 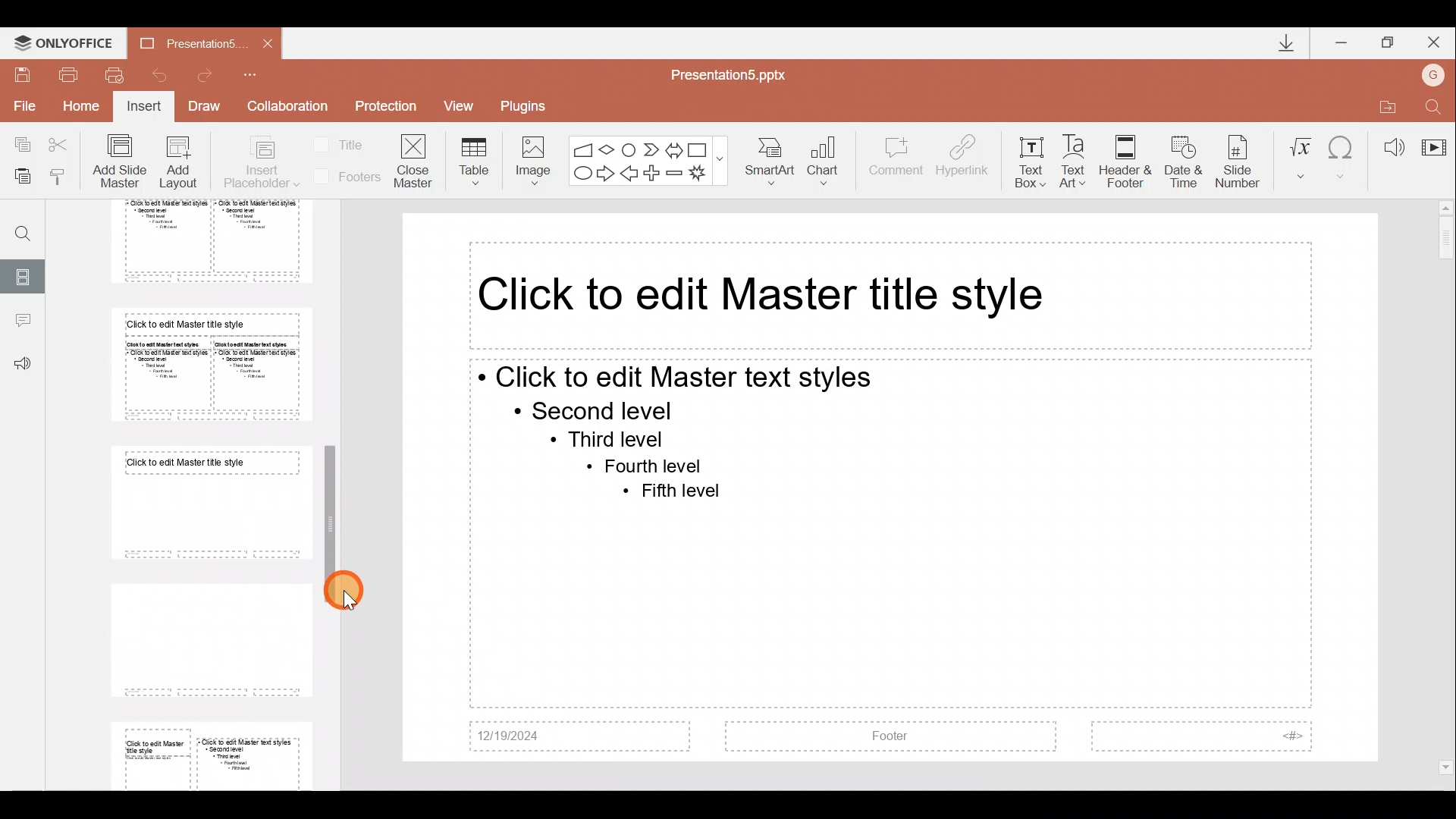 What do you see at coordinates (529, 158) in the screenshot?
I see `Image` at bounding box center [529, 158].